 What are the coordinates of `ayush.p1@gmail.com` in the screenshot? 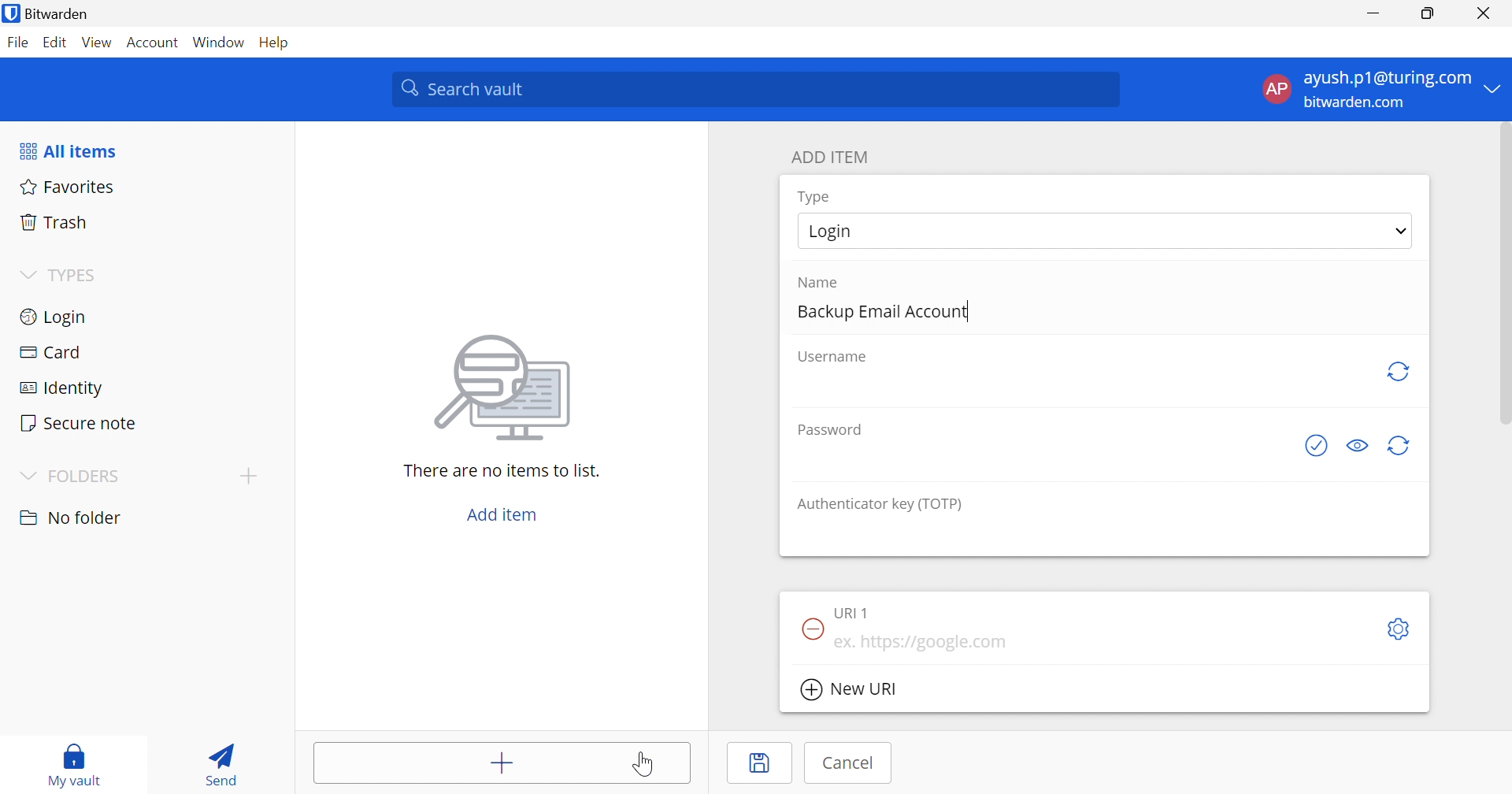 It's located at (1385, 78).